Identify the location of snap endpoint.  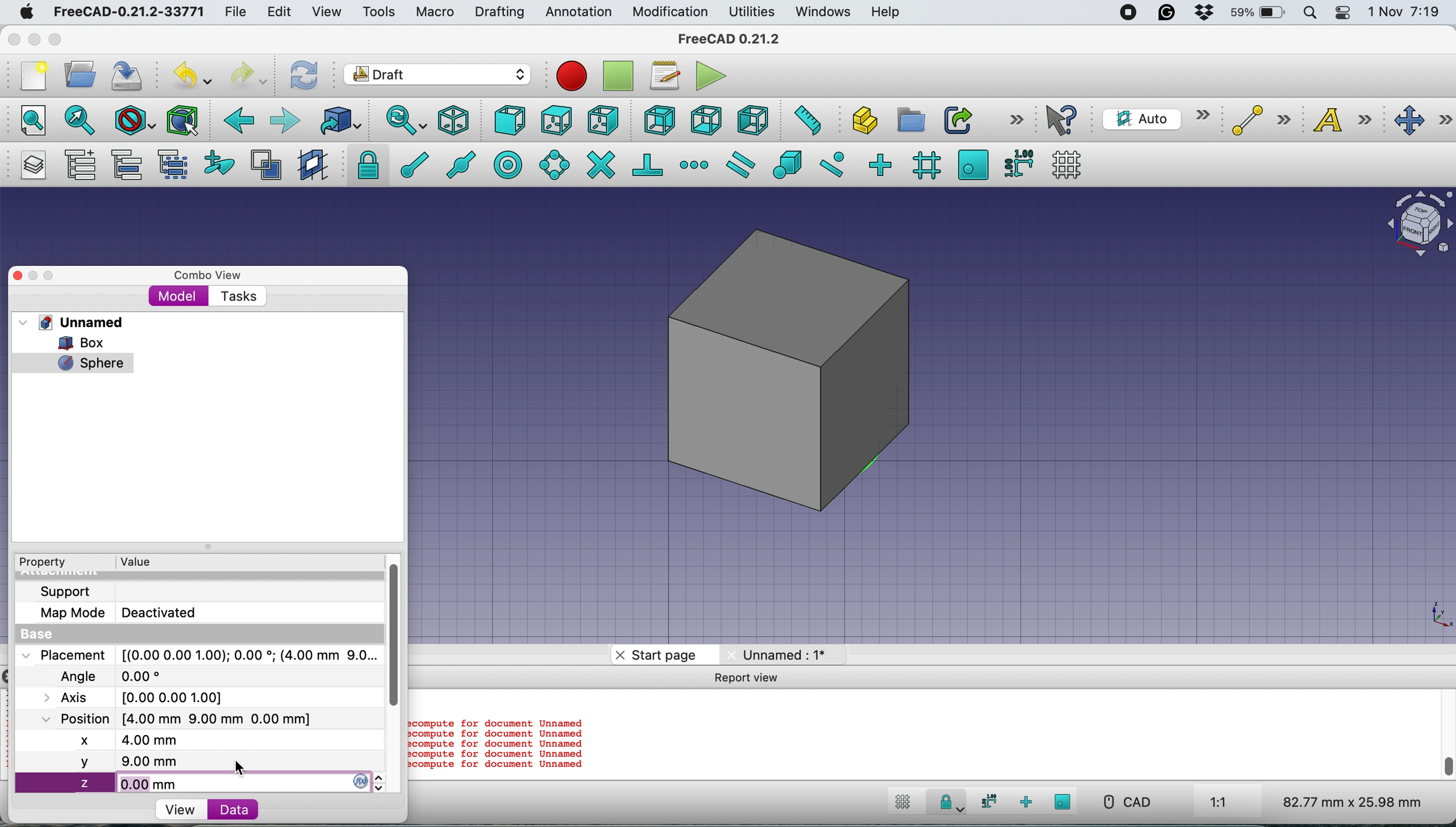
(413, 165).